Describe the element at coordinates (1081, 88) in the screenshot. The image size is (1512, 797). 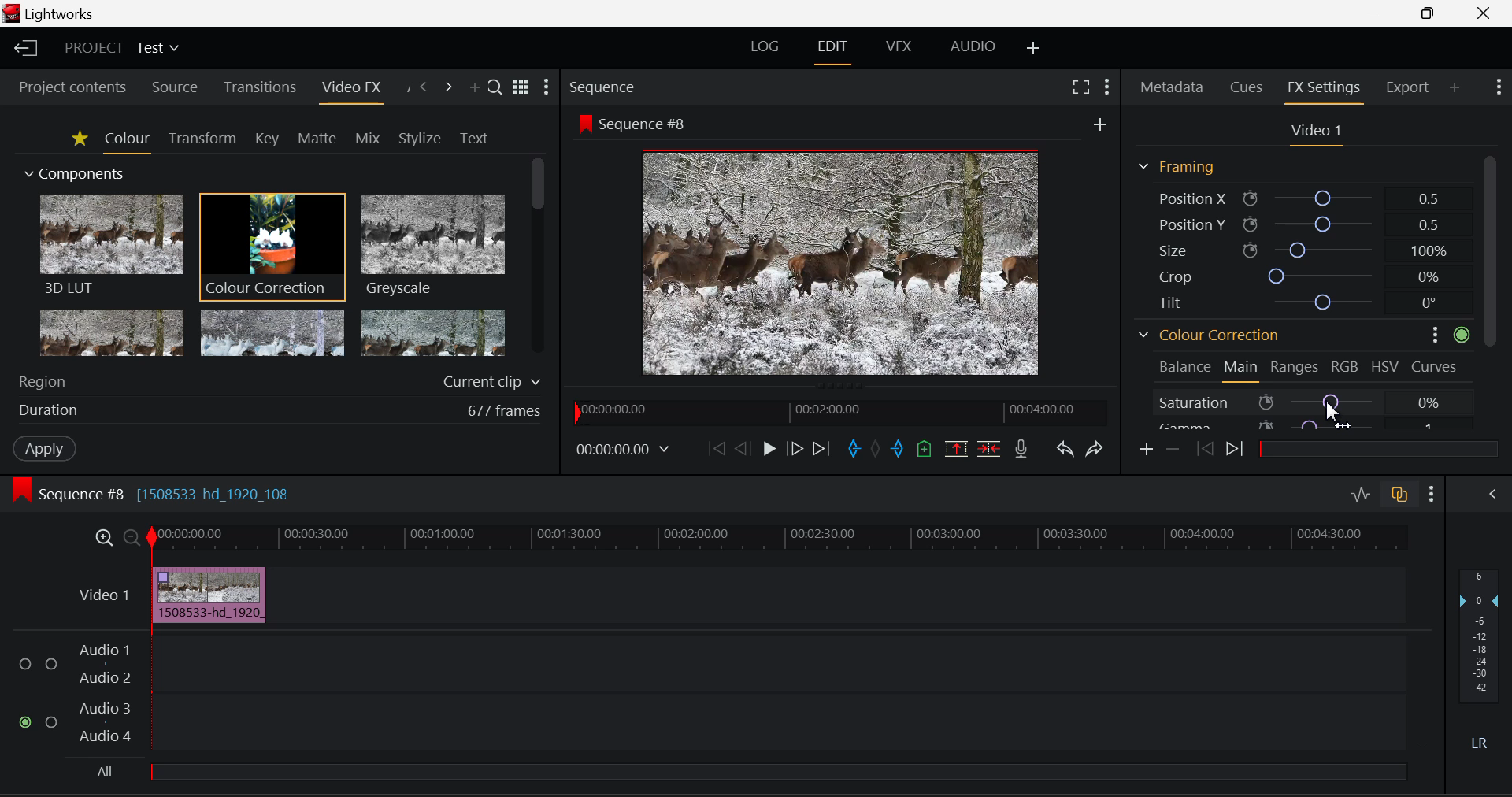
I see `Full Screen` at that location.